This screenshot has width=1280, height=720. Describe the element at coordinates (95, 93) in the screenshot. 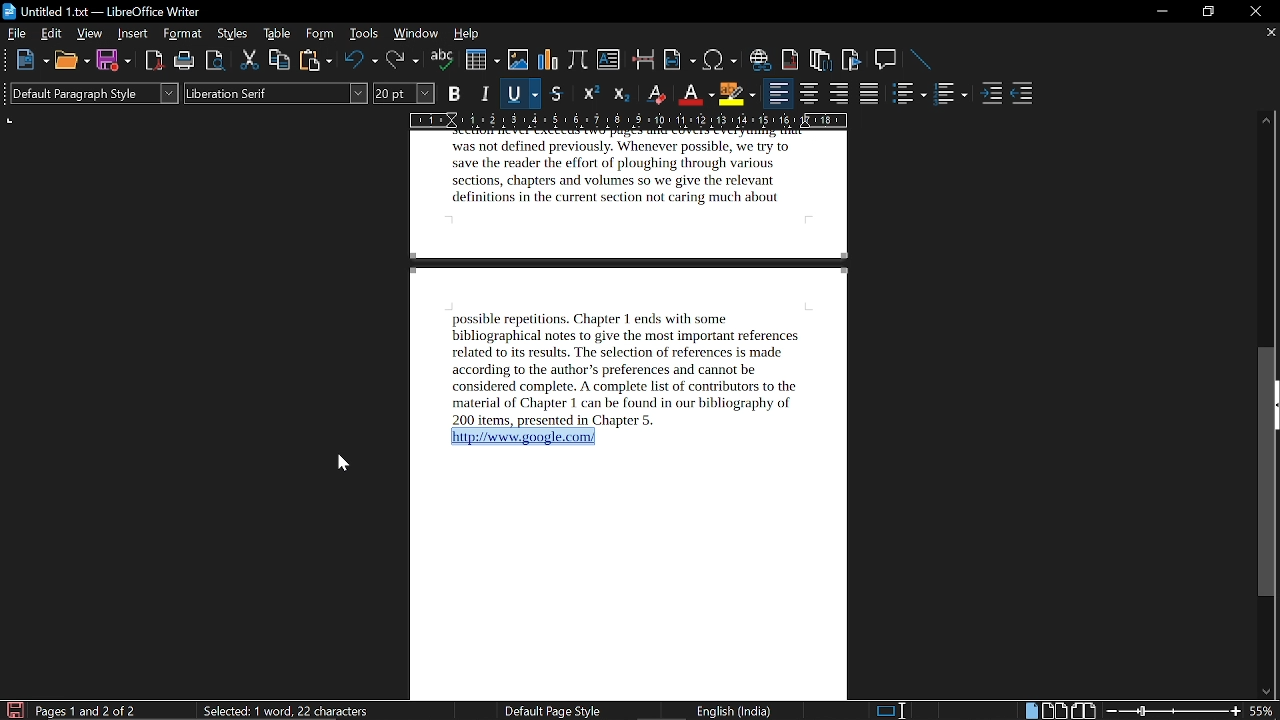

I see `paragraph style` at that location.